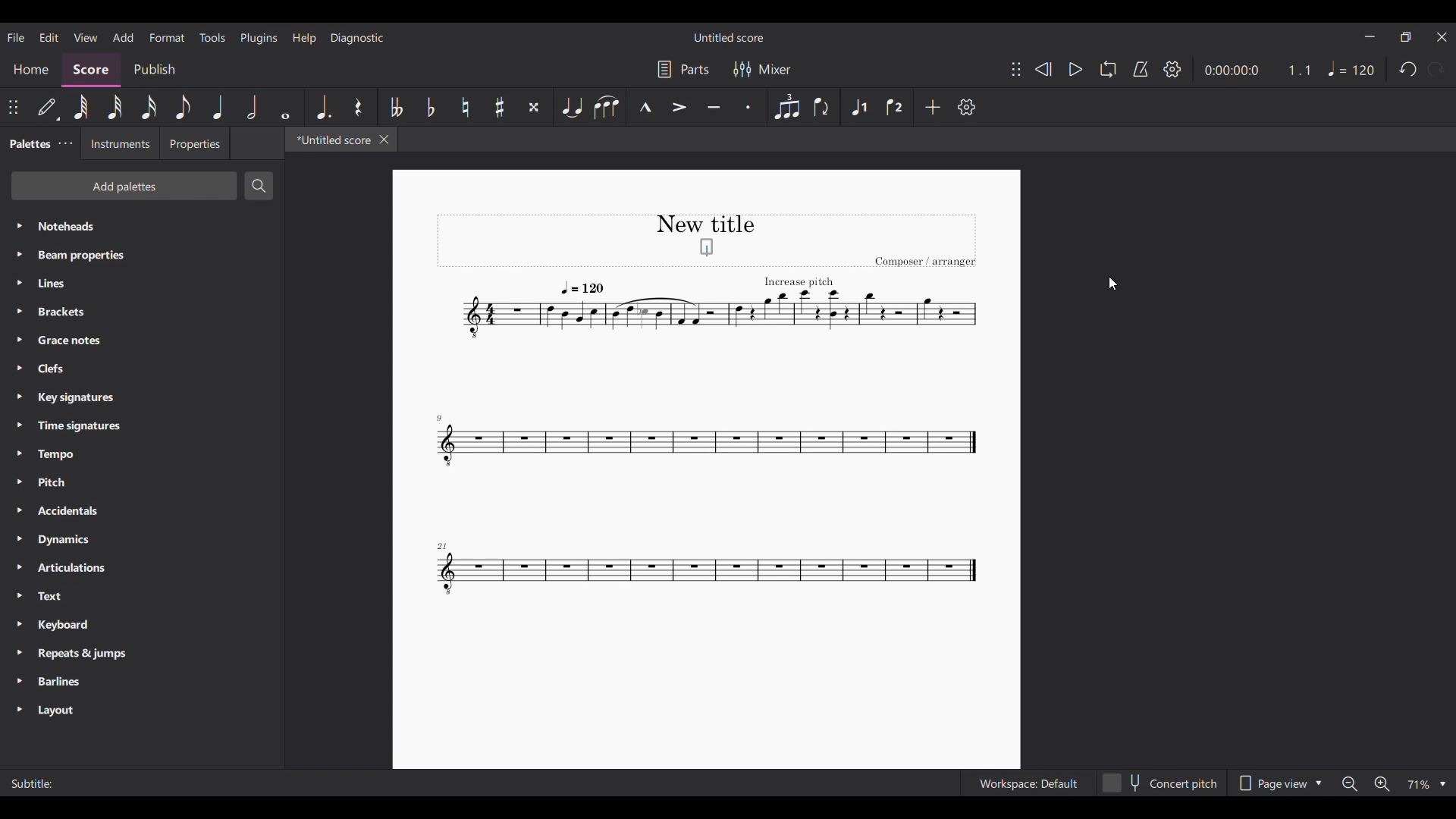 This screenshot has width=1456, height=819. What do you see at coordinates (384, 140) in the screenshot?
I see `Close tab` at bounding box center [384, 140].